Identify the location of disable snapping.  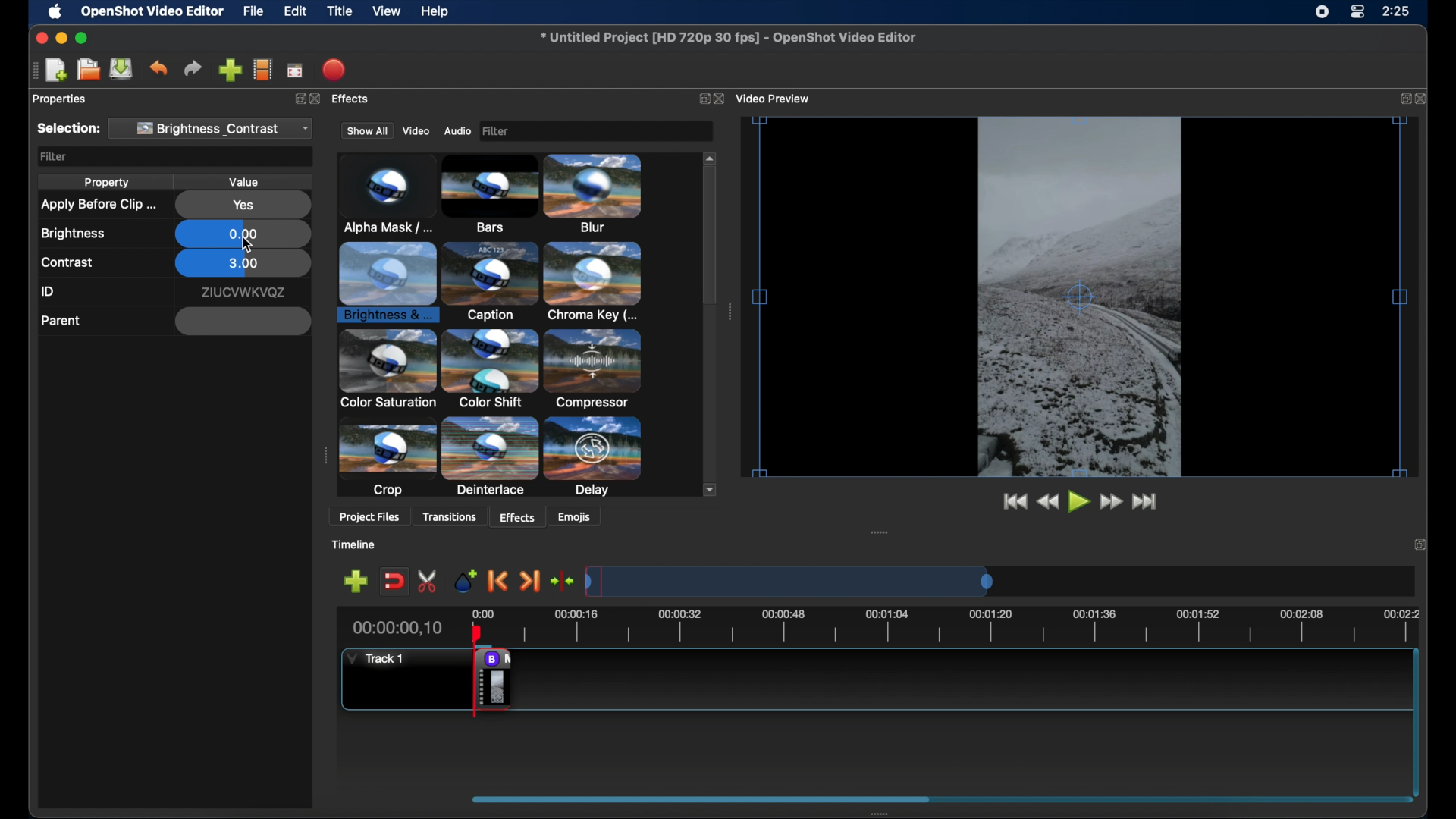
(390, 582).